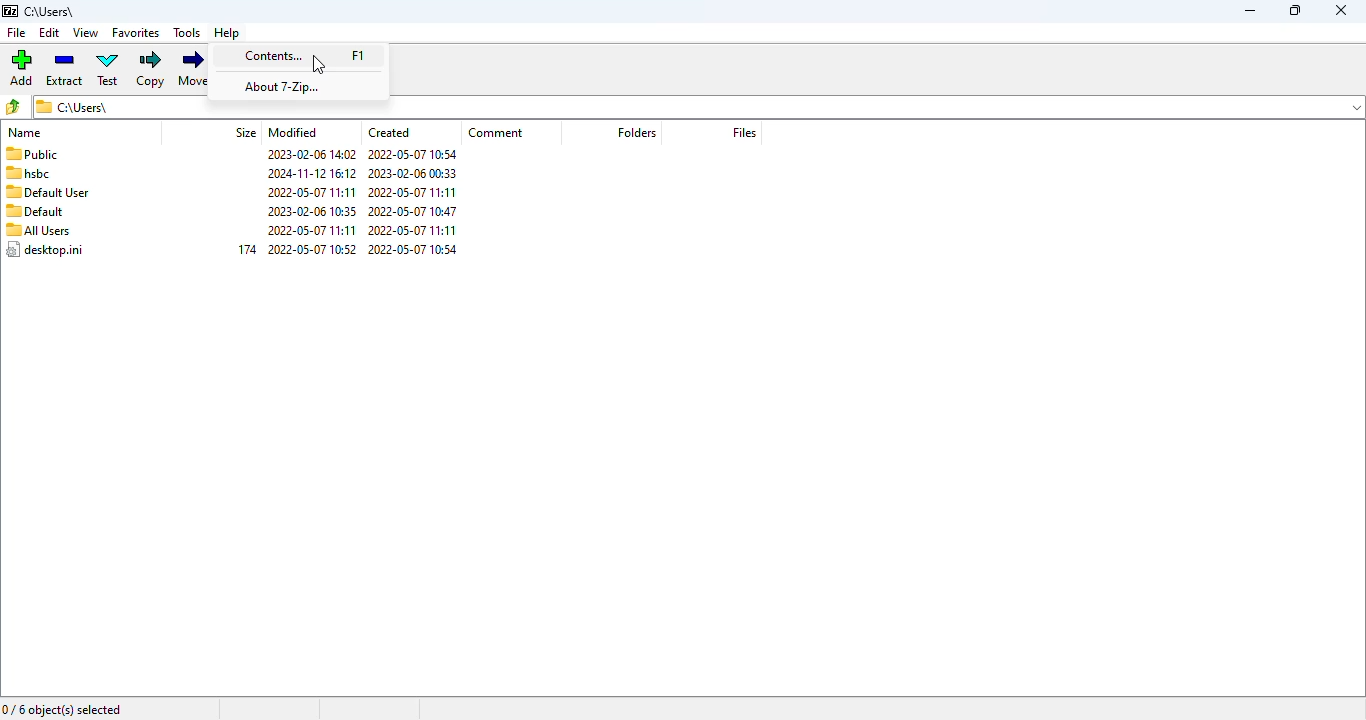  I want to click on edit, so click(49, 32).